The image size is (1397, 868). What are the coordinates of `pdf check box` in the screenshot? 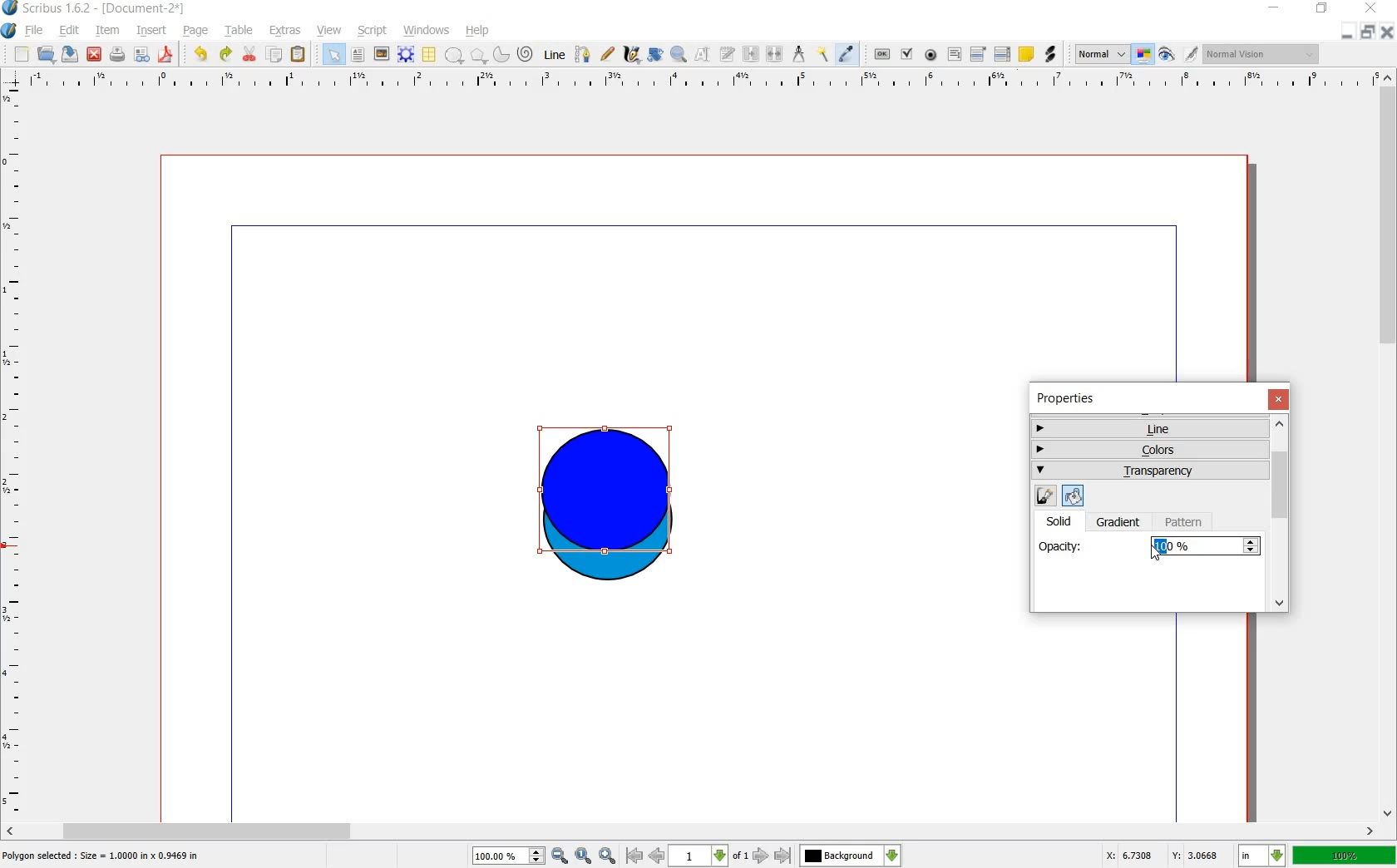 It's located at (906, 55).